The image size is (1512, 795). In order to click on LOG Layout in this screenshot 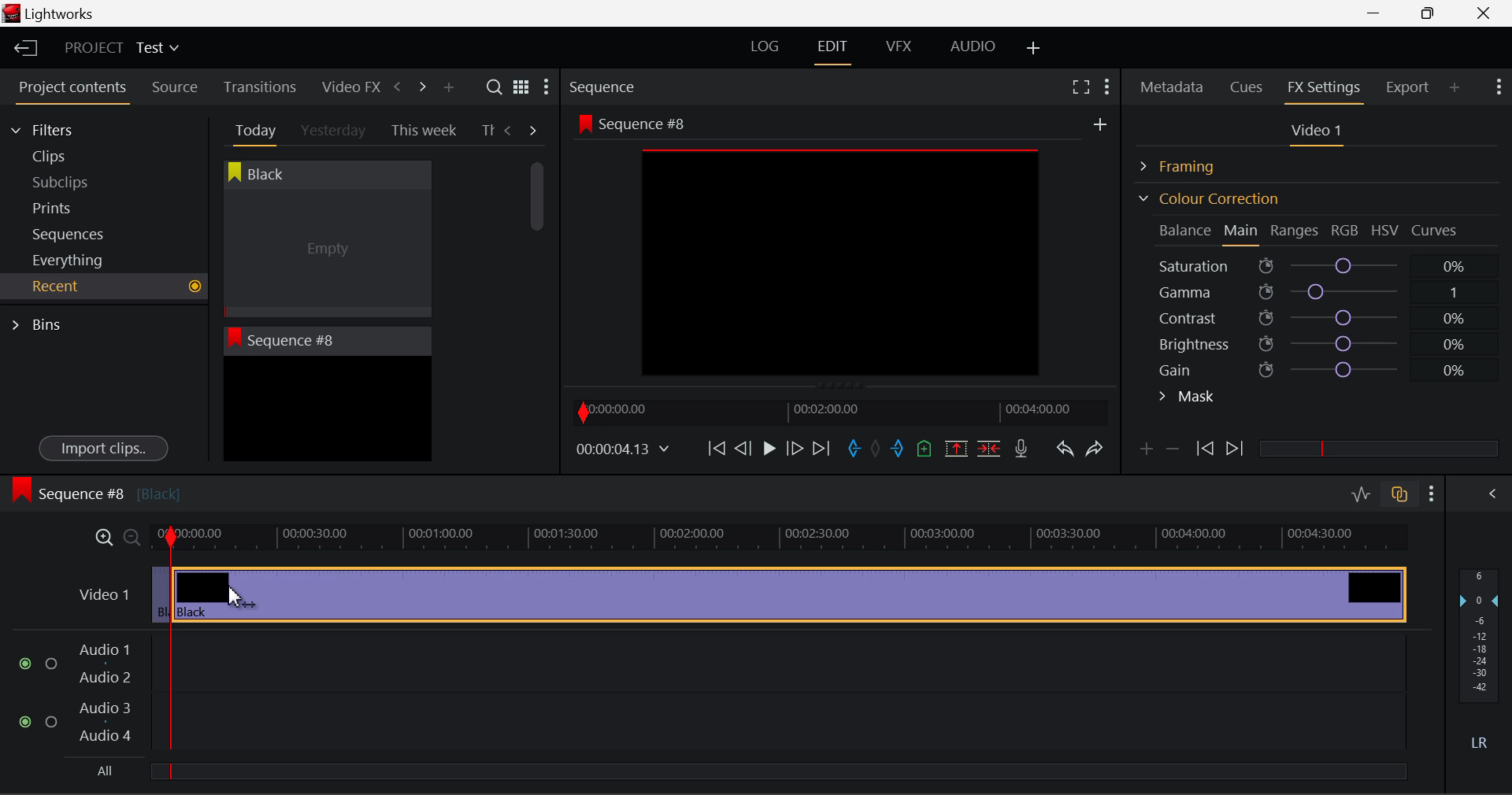, I will do `click(764, 46)`.